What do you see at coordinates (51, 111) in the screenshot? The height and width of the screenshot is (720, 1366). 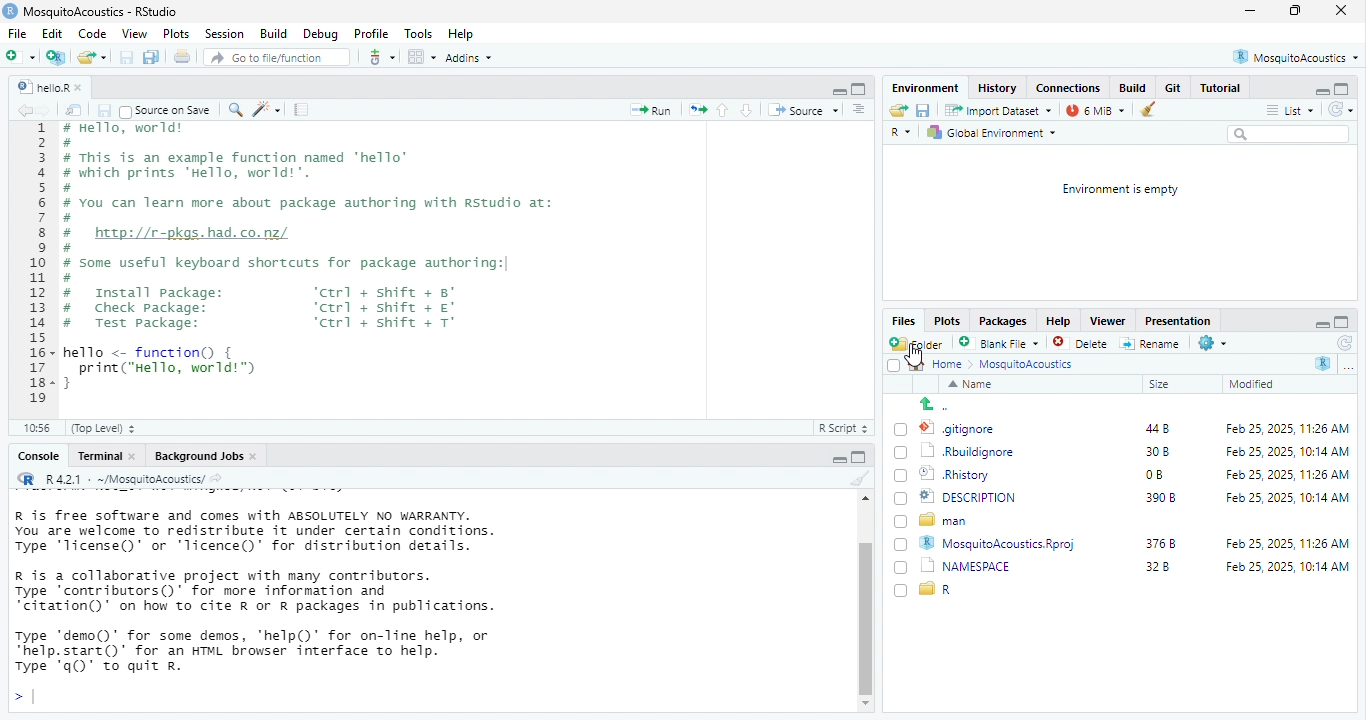 I see `go forward to the next source location` at bounding box center [51, 111].